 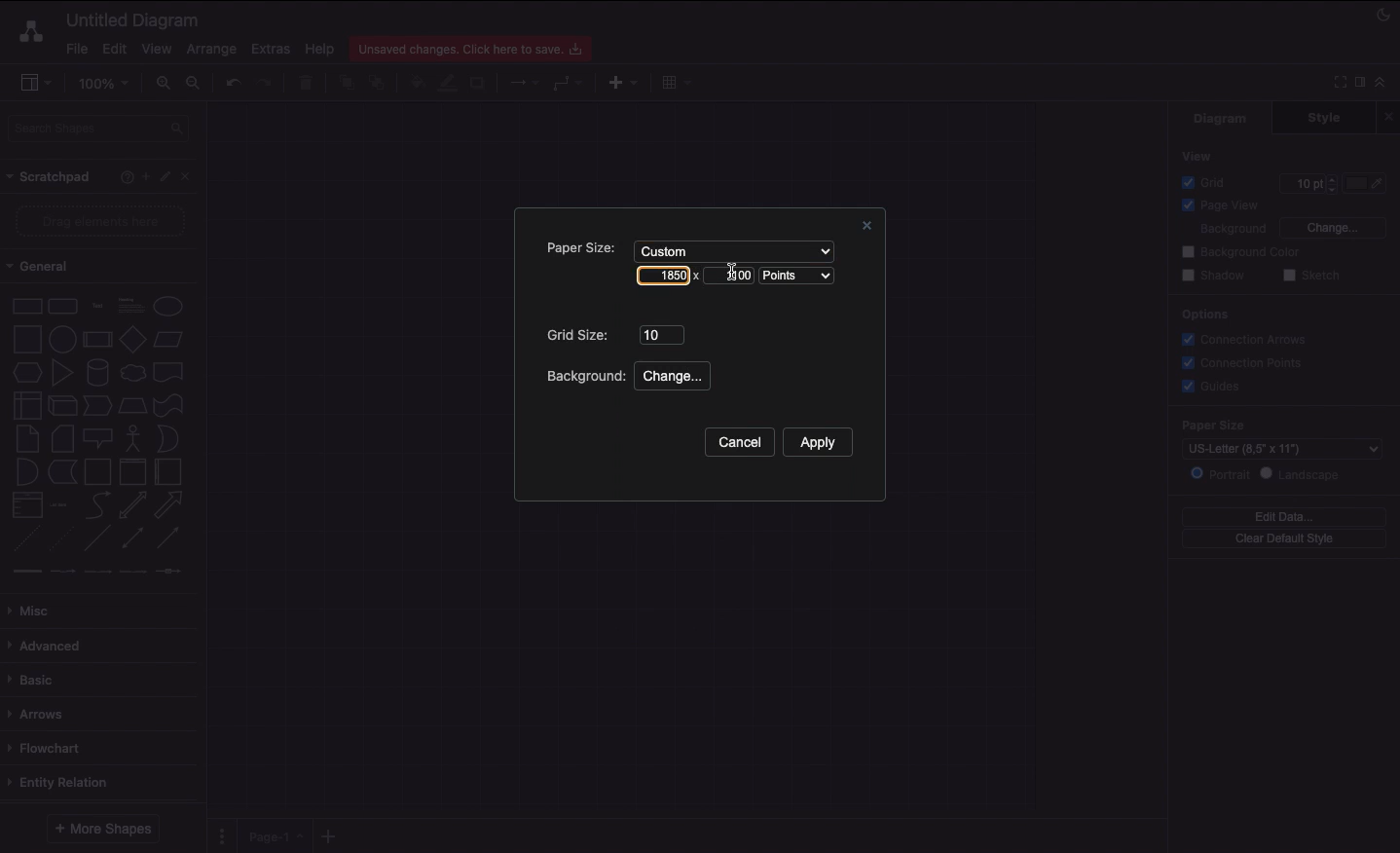 What do you see at coordinates (473, 46) in the screenshot?
I see `Unsaved changes` at bounding box center [473, 46].